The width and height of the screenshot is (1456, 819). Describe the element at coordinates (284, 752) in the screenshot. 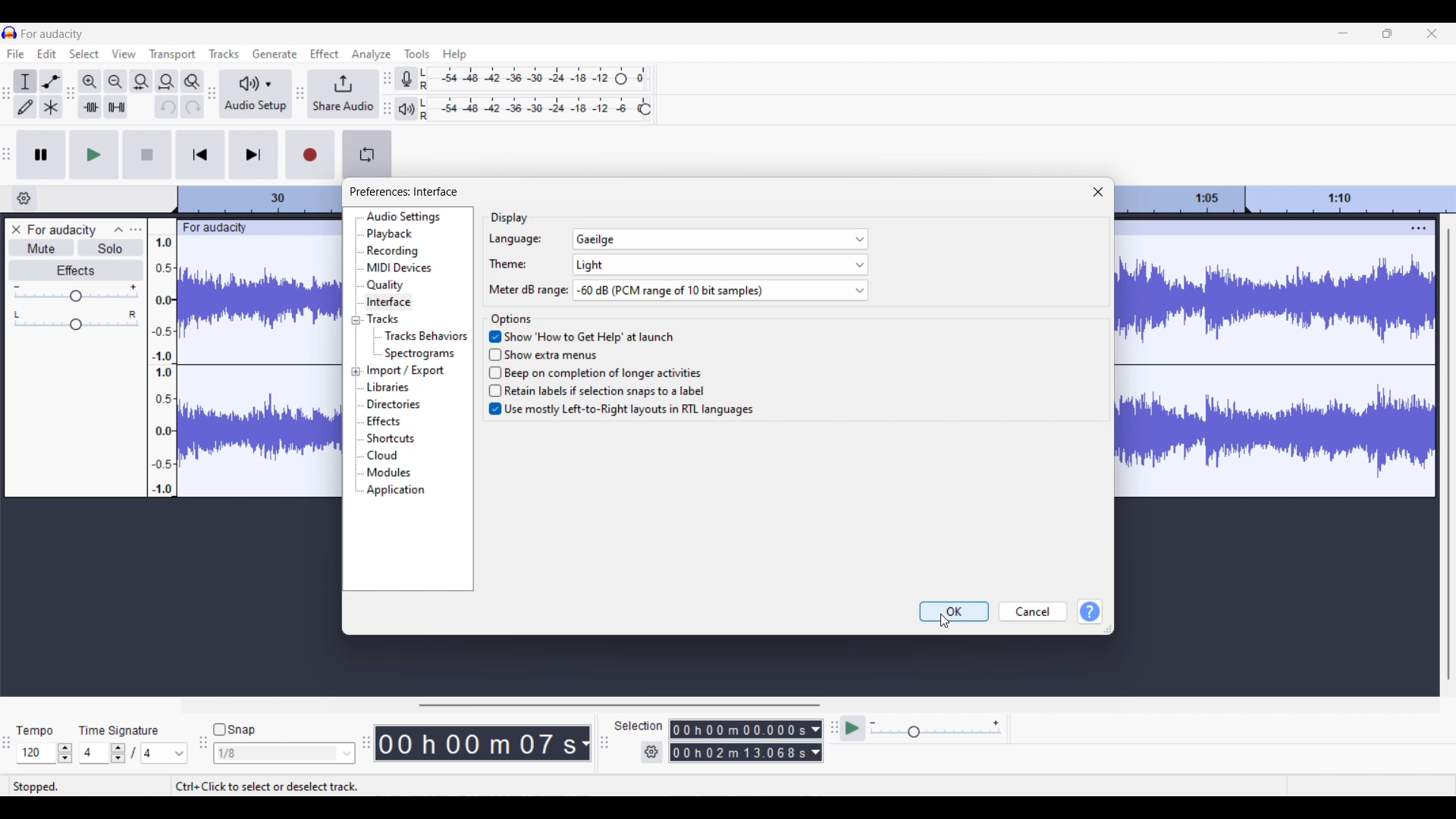

I see `Snap toggle options` at that location.